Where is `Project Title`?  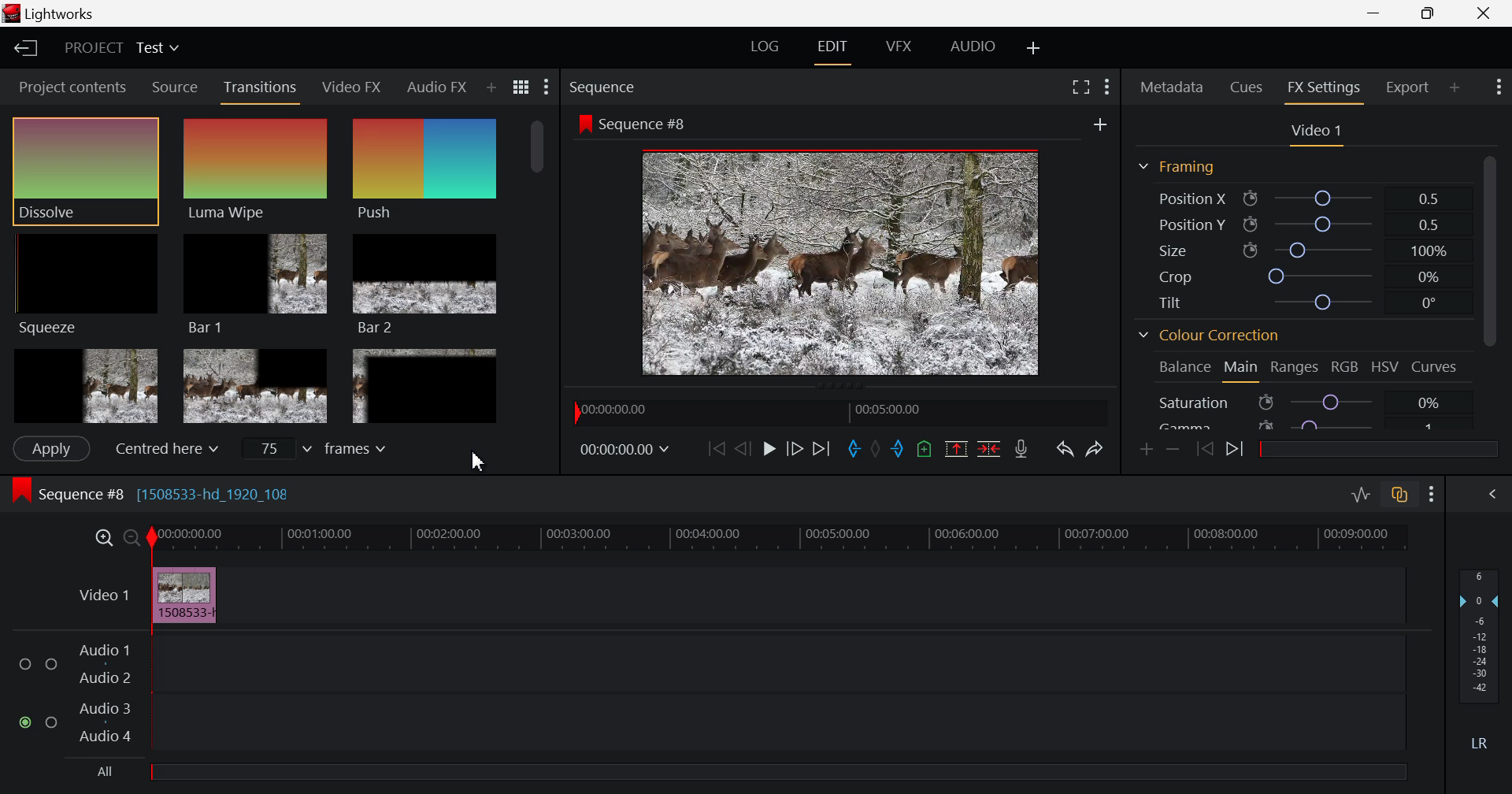
Project Title is located at coordinates (121, 48).